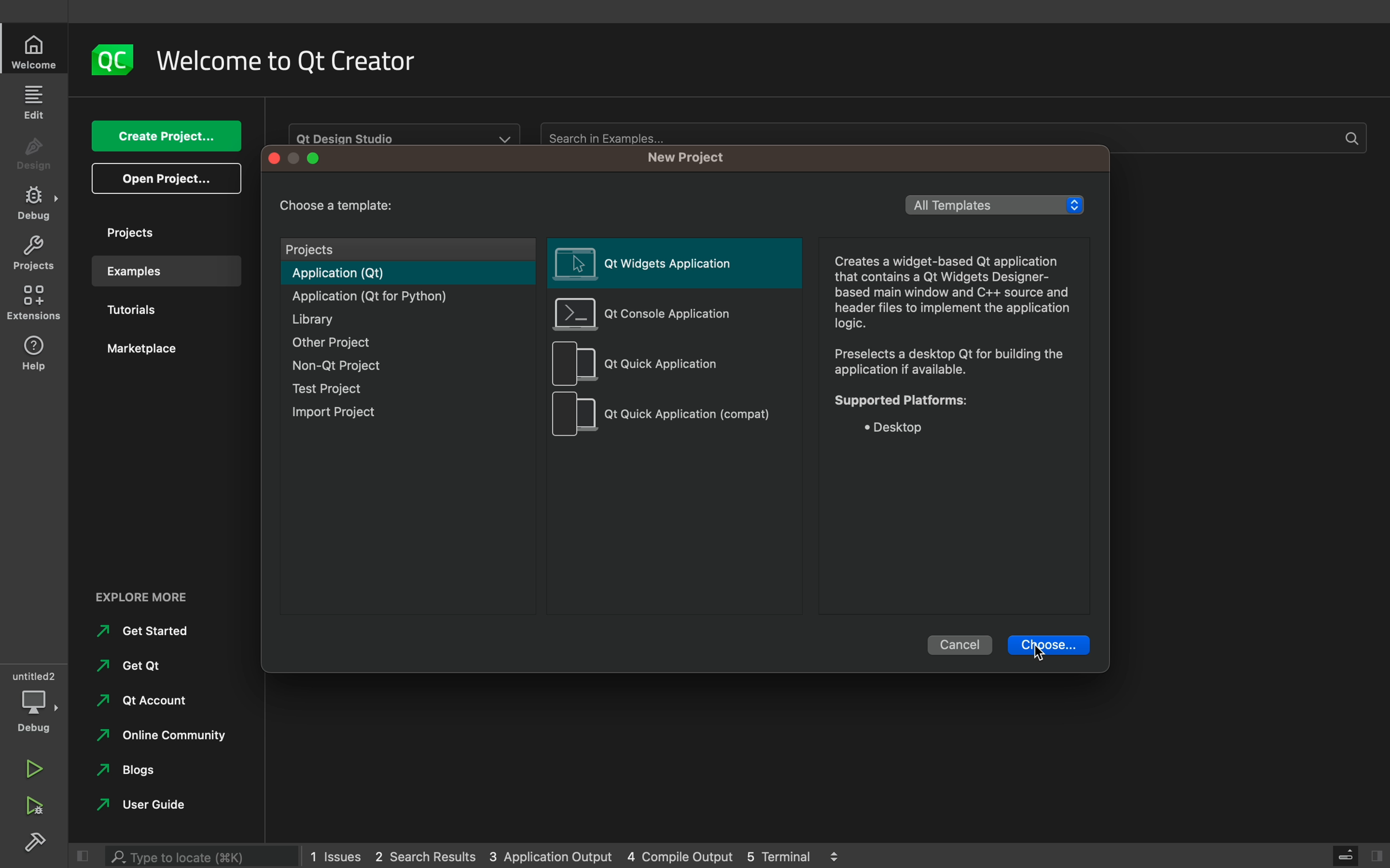  I want to click on Qt Design, so click(402, 133).